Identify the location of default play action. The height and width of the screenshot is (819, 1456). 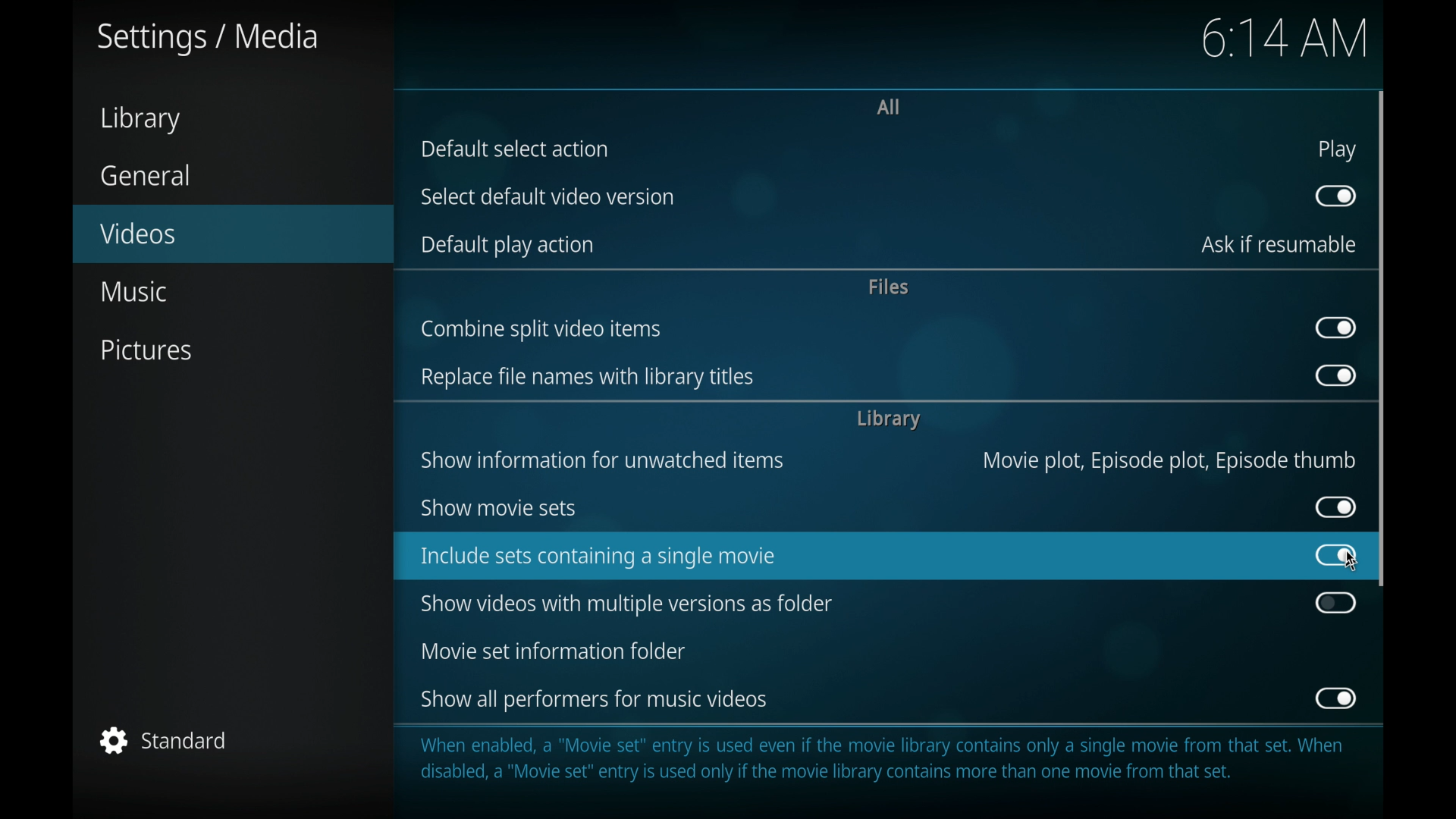
(509, 245).